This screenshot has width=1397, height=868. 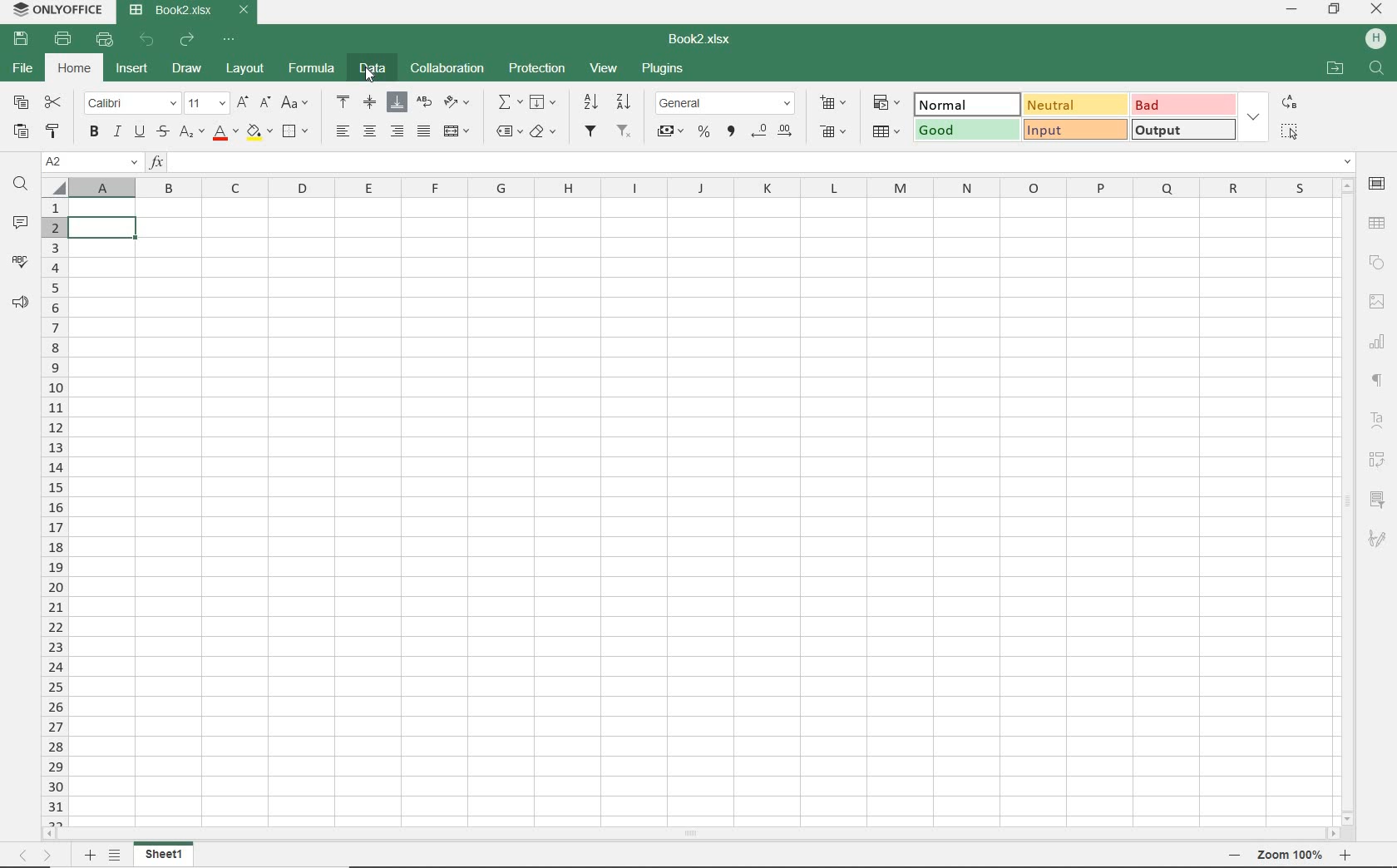 I want to click on SAVE, so click(x=19, y=38).